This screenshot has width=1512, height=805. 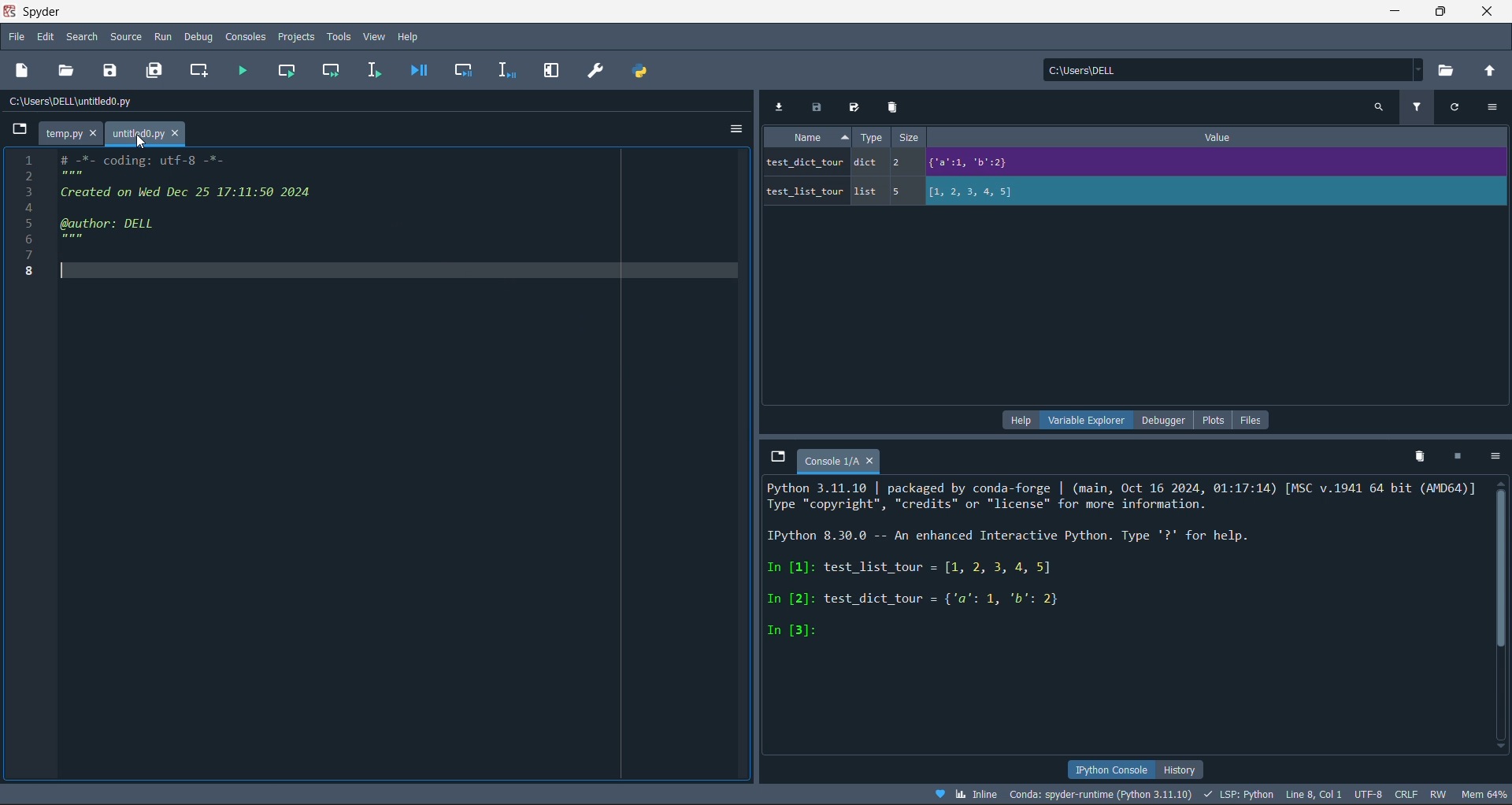 What do you see at coordinates (161, 36) in the screenshot?
I see `run` at bounding box center [161, 36].